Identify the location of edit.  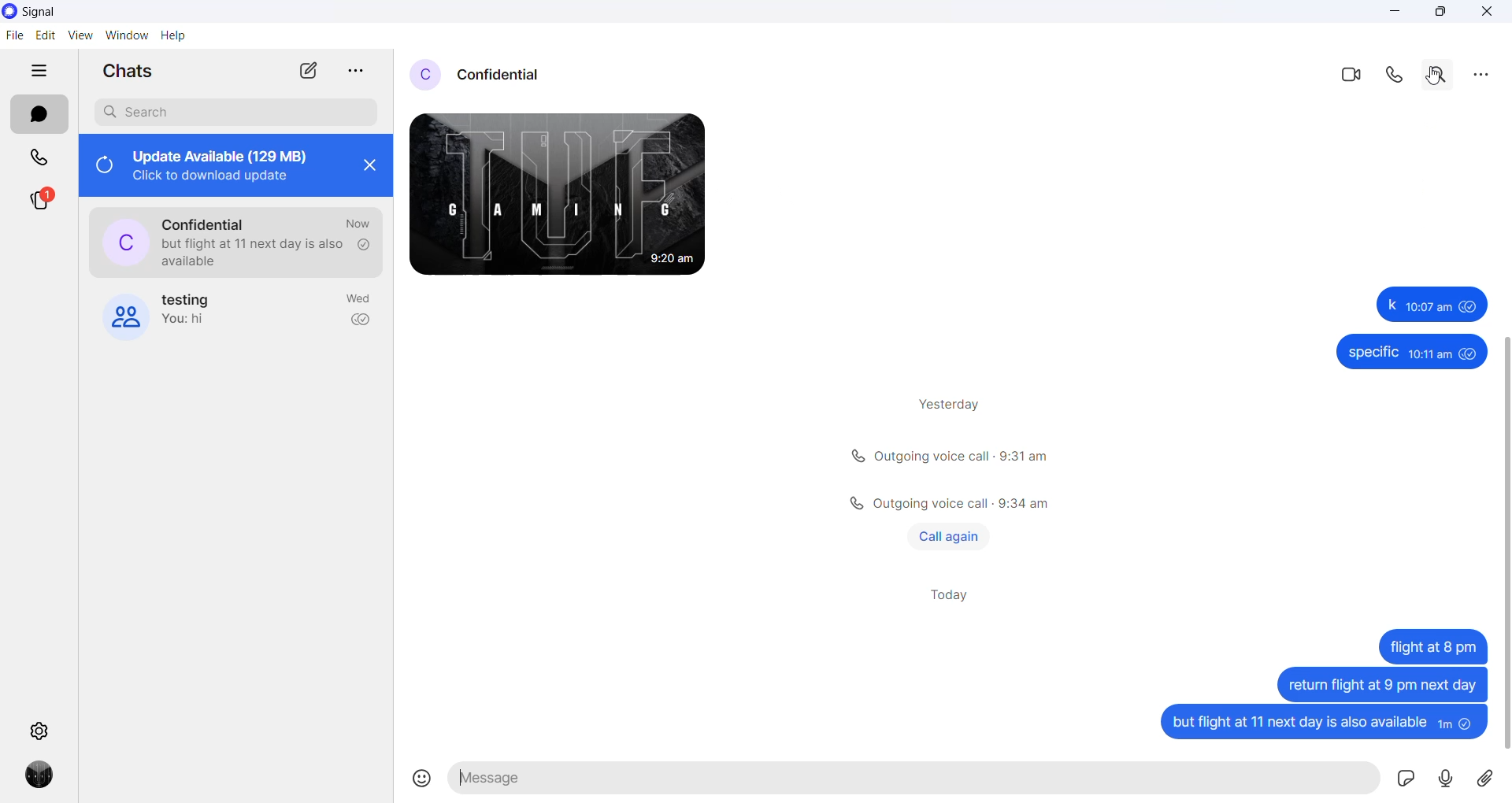
(43, 37).